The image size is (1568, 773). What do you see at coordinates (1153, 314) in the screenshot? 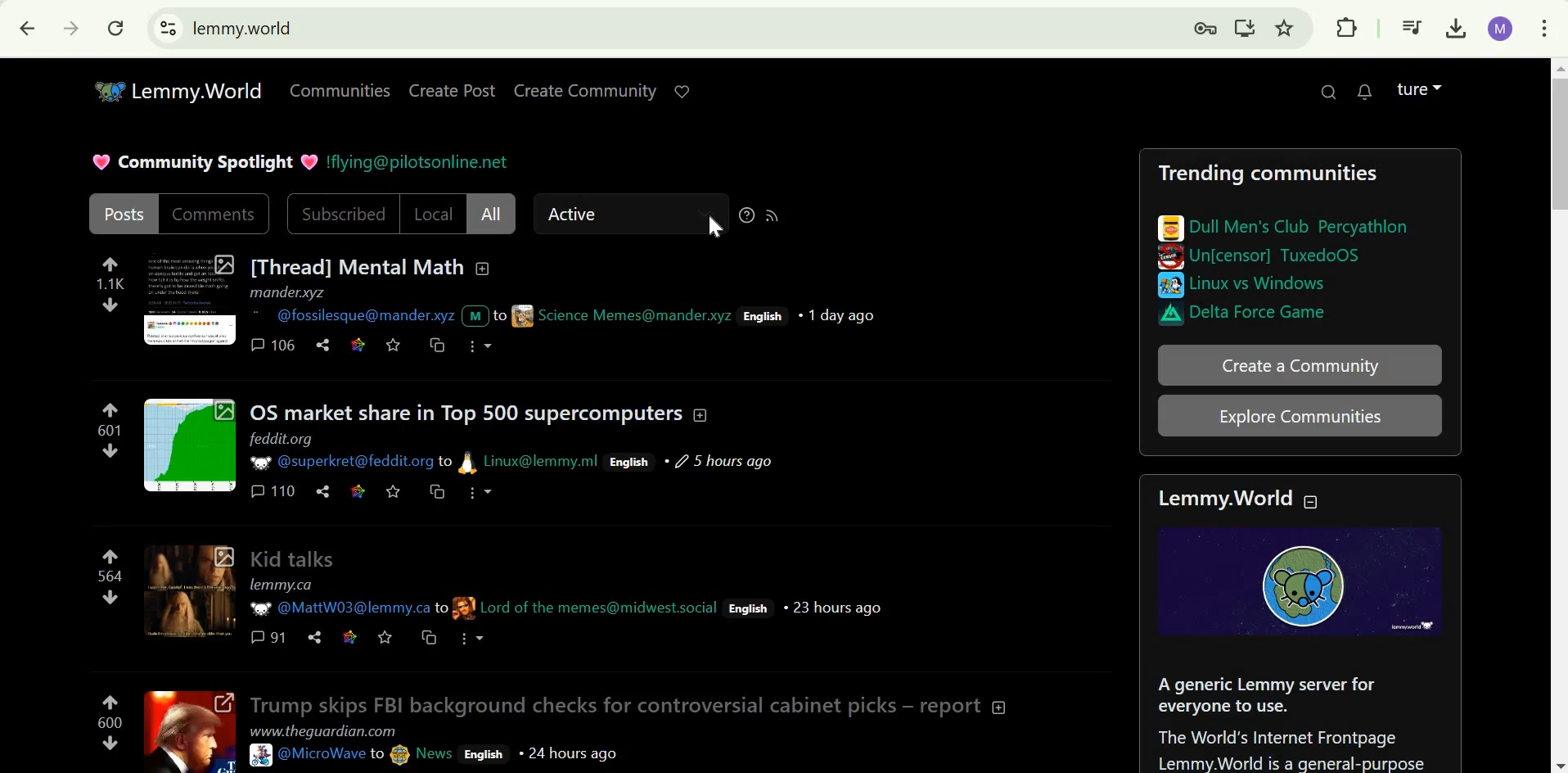
I see `image` at bounding box center [1153, 314].